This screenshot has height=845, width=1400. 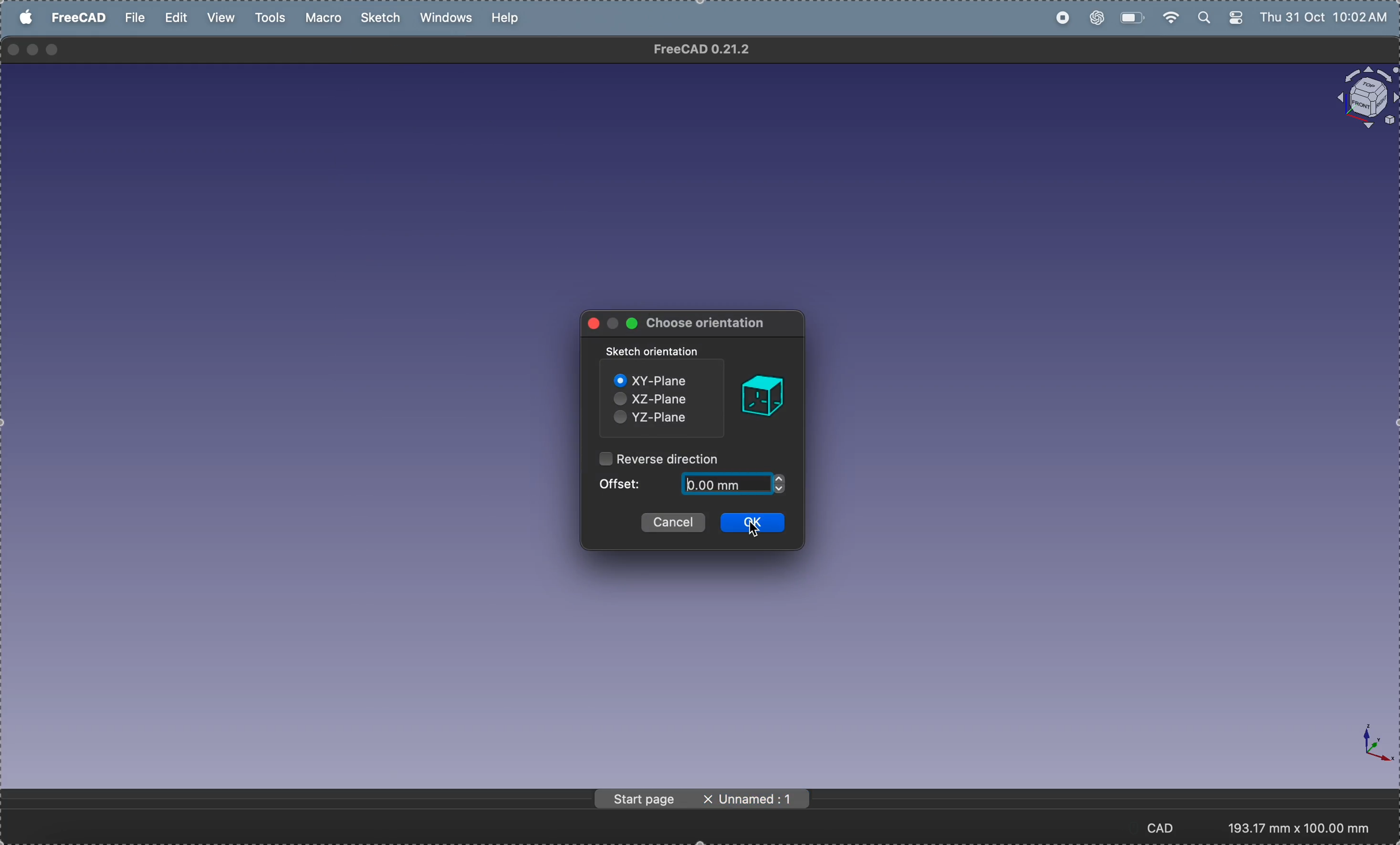 I want to click on close file, so click(x=708, y=800).